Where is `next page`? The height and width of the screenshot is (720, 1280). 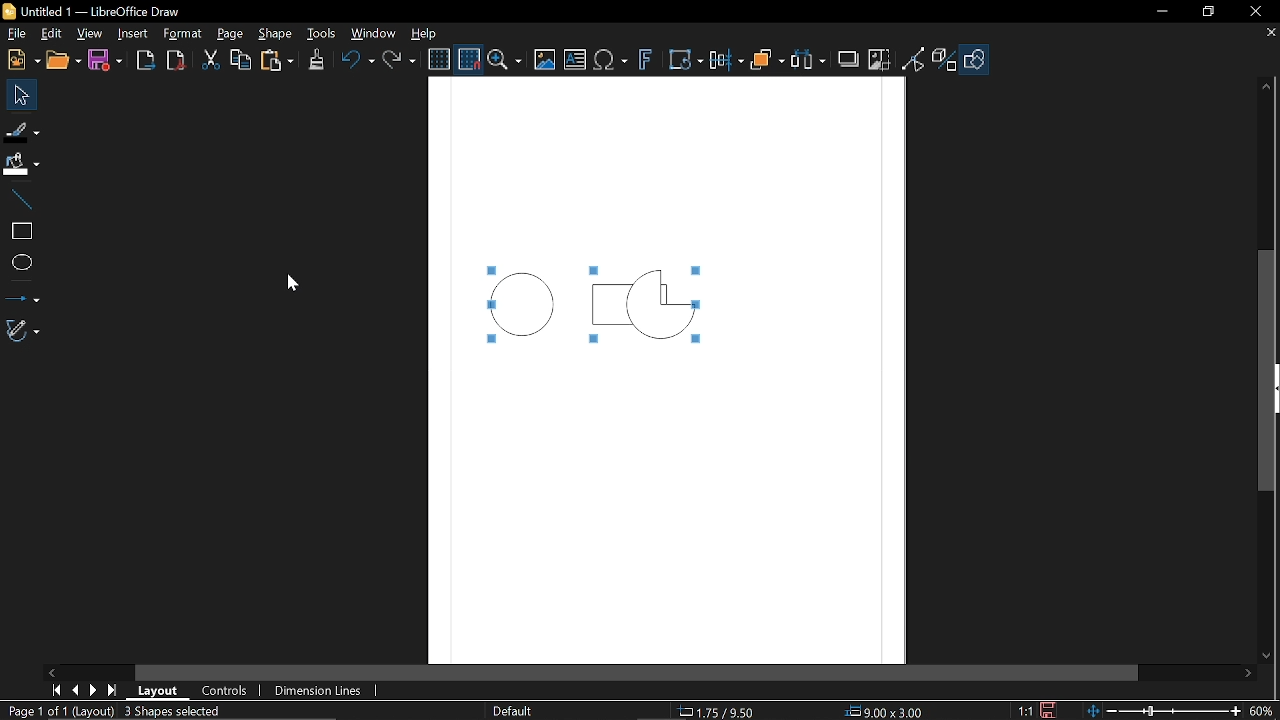
next page is located at coordinates (89, 690).